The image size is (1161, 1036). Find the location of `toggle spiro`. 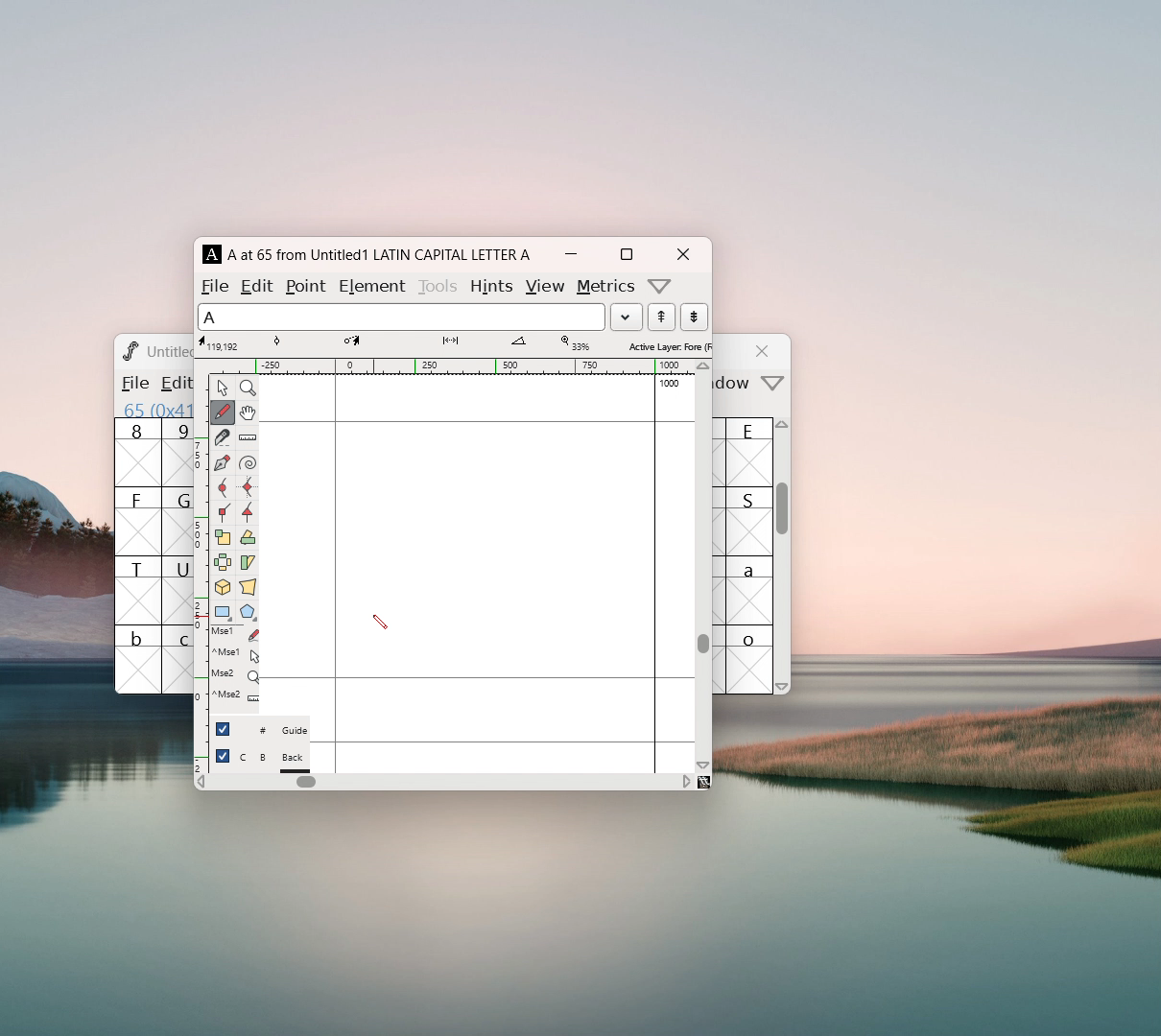

toggle spiro is located at coordinates (248, 463).